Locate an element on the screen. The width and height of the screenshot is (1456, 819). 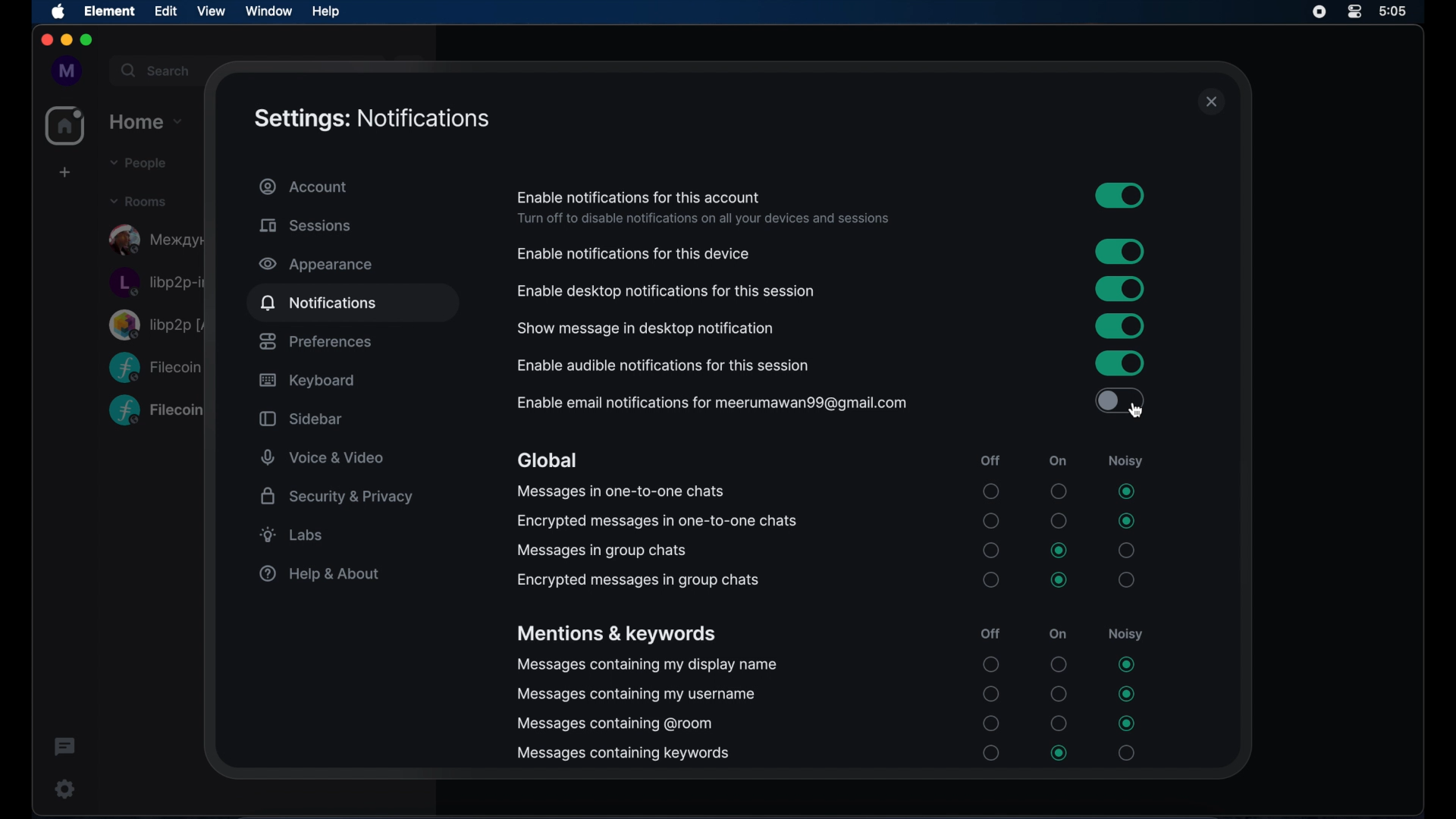
settings: notifications is located at coordinates (372, 119).